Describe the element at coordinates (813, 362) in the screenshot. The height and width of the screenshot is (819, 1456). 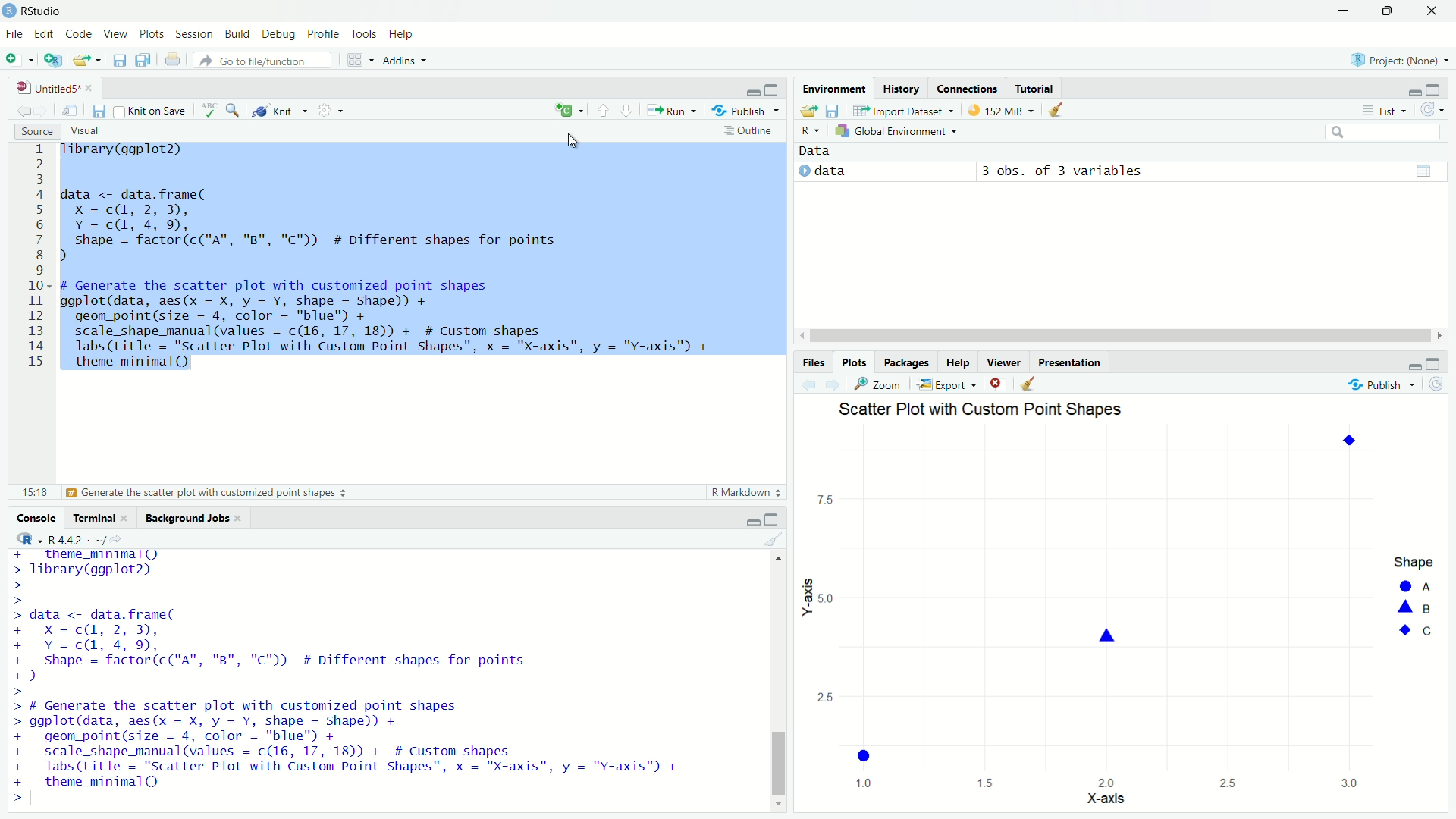
I see `Files` at that location.